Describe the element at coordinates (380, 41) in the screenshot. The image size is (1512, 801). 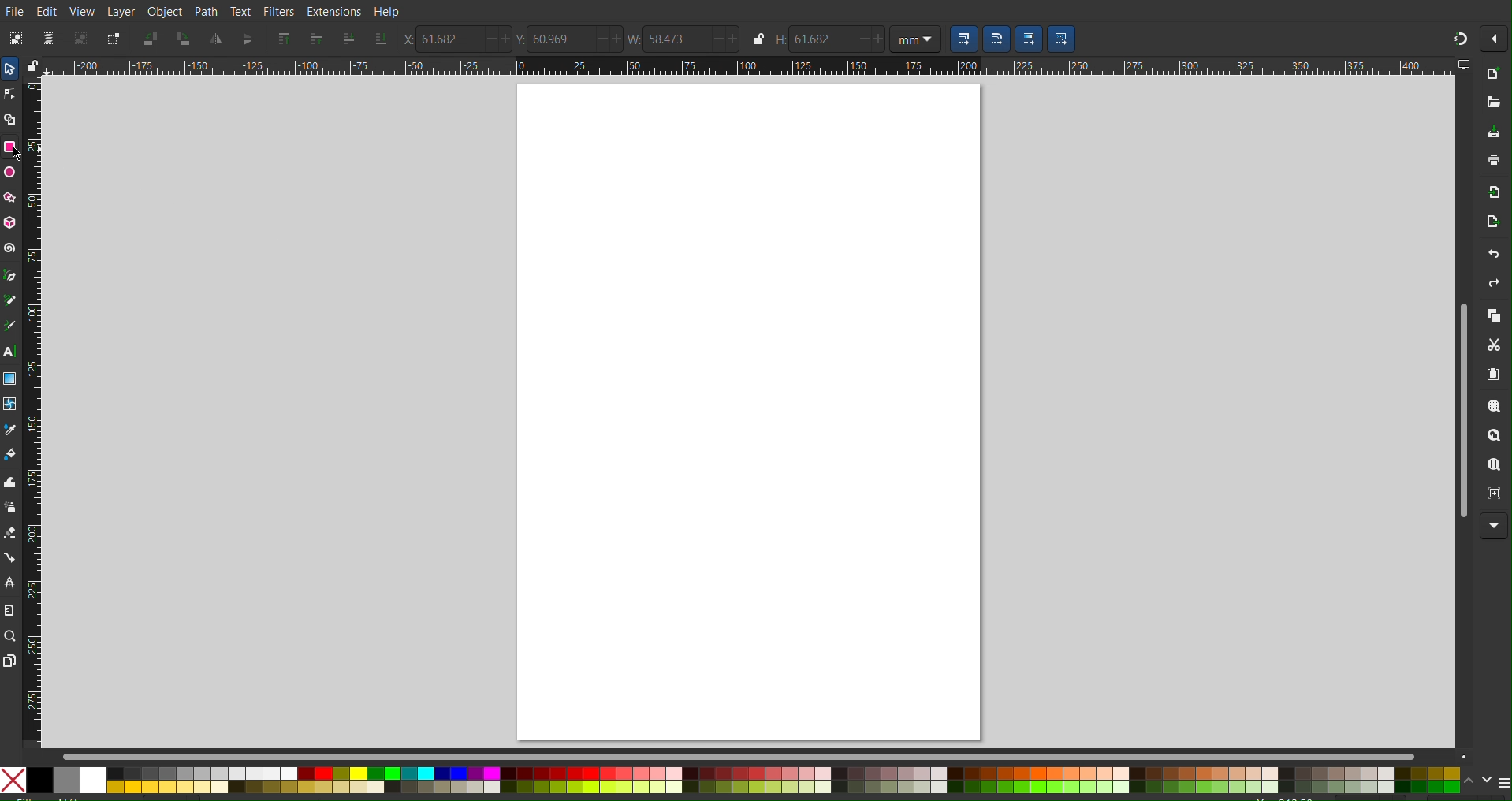
I see `Send to bottom` at that location.